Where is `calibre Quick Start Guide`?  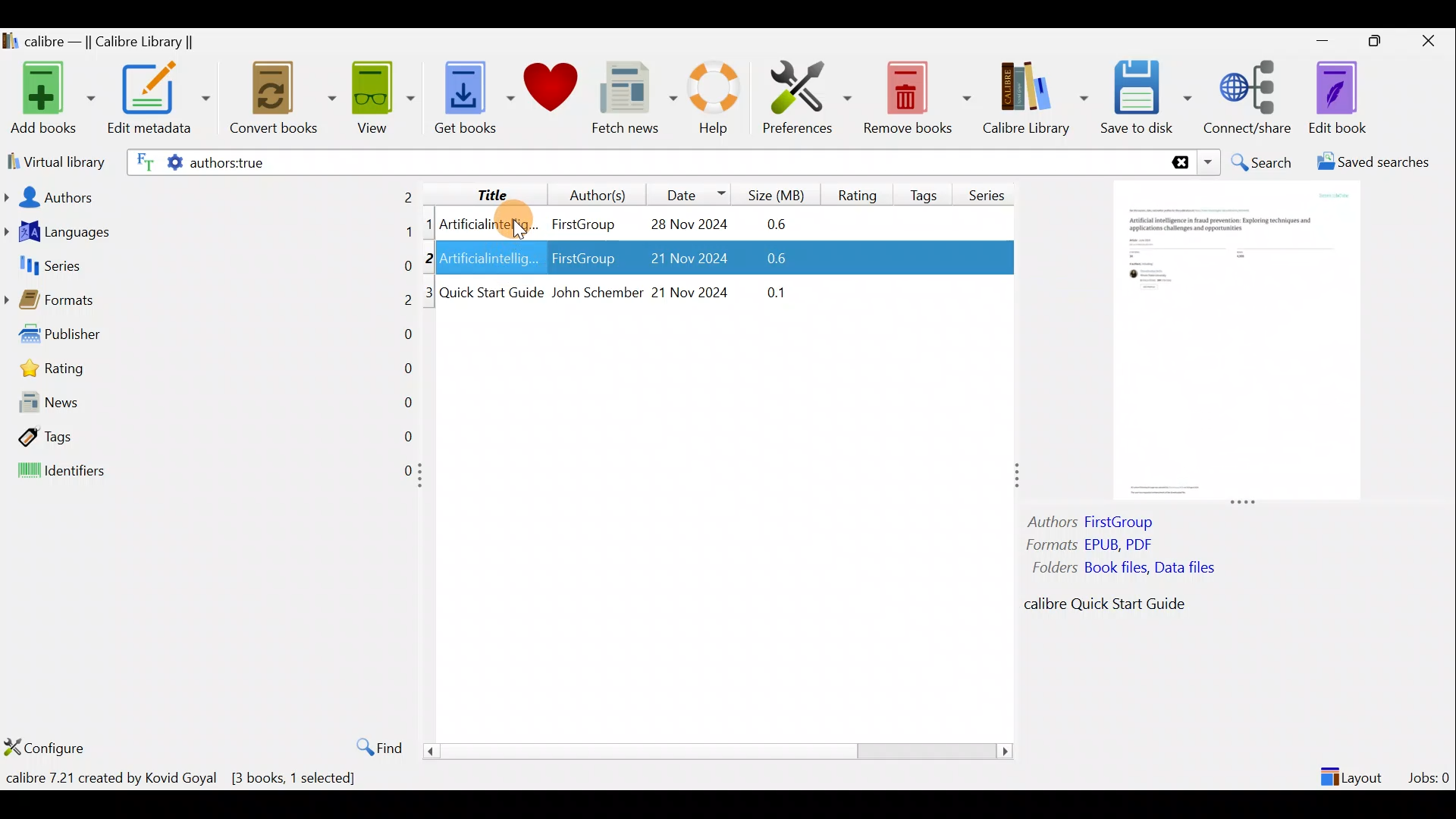
calibre Quick Start Guide is located at coordinates (1097, 607).